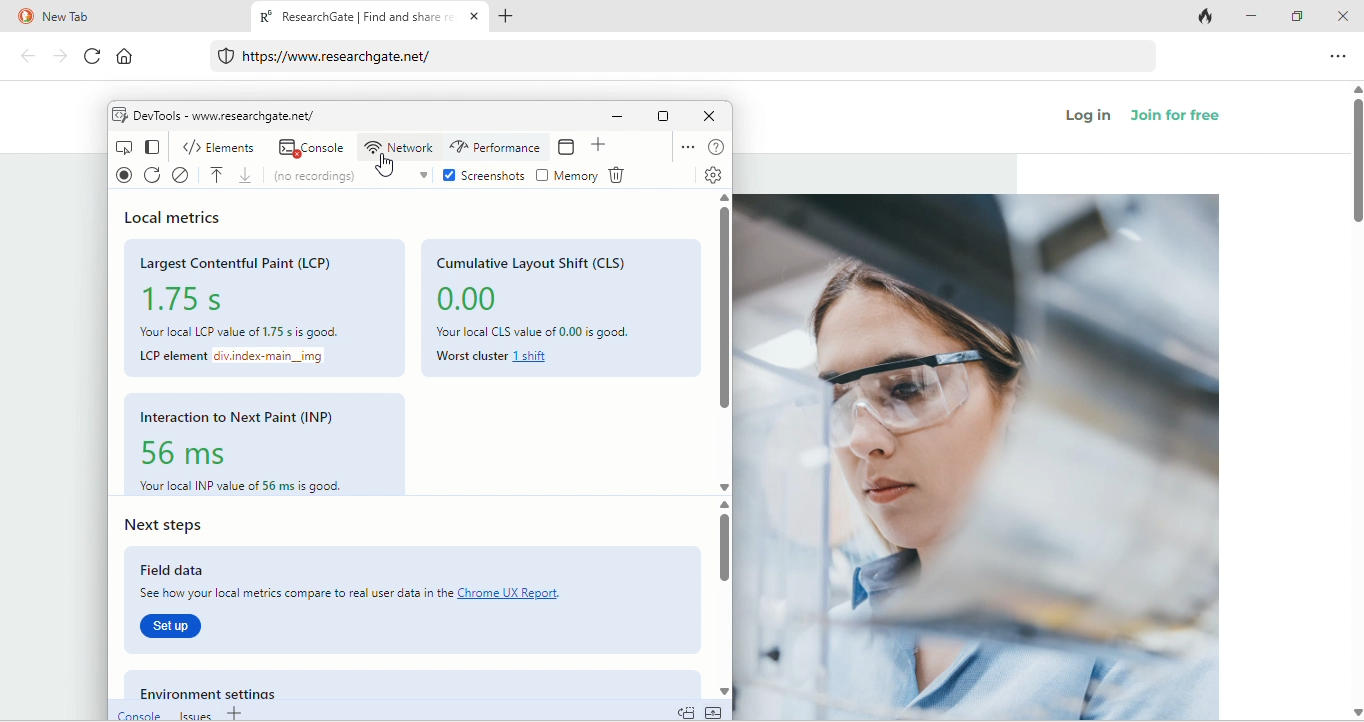  I want to click on issues, so click(193, 714).